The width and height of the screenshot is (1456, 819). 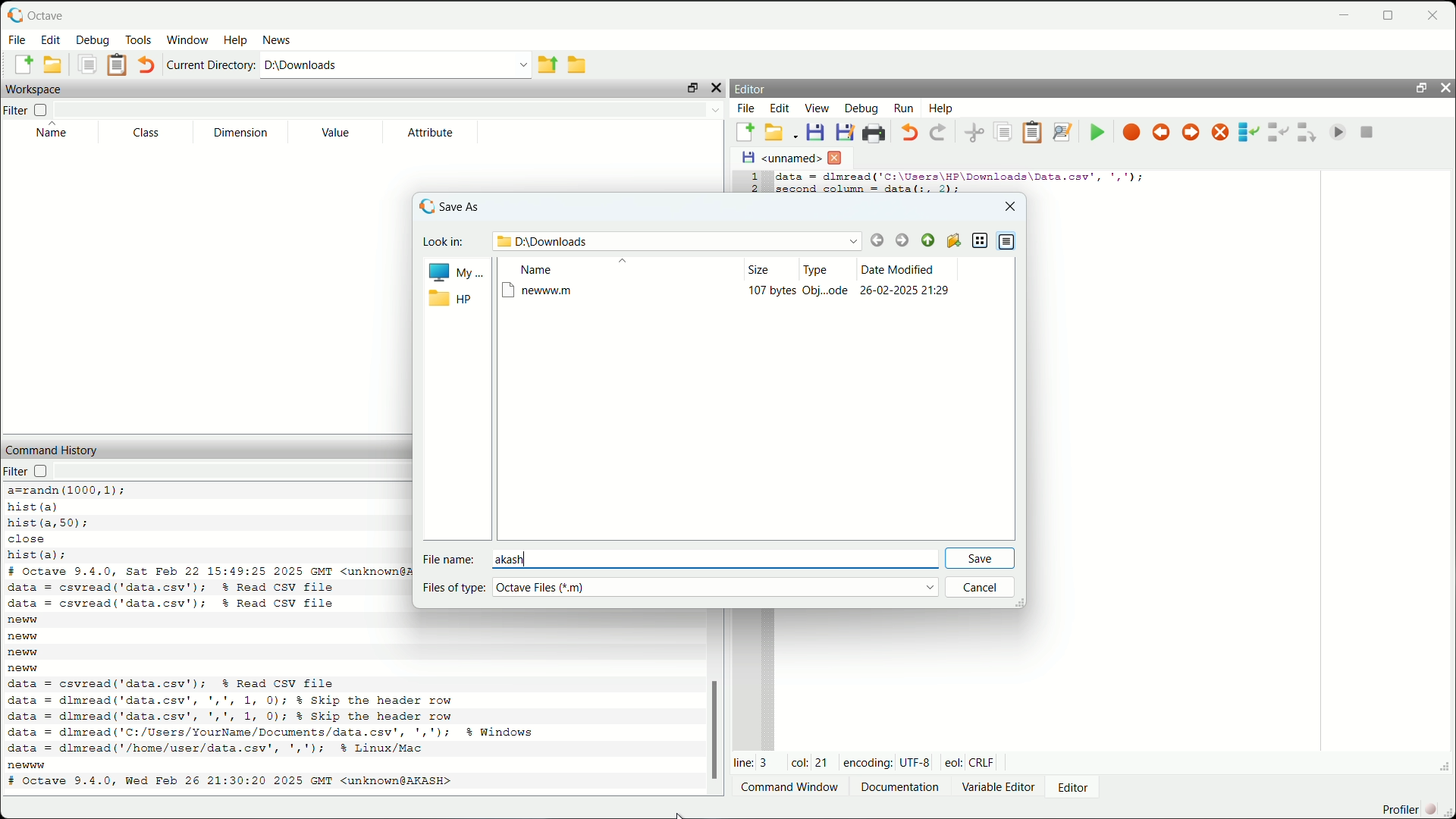 I want to click on debug, so click(x=95, y=41).